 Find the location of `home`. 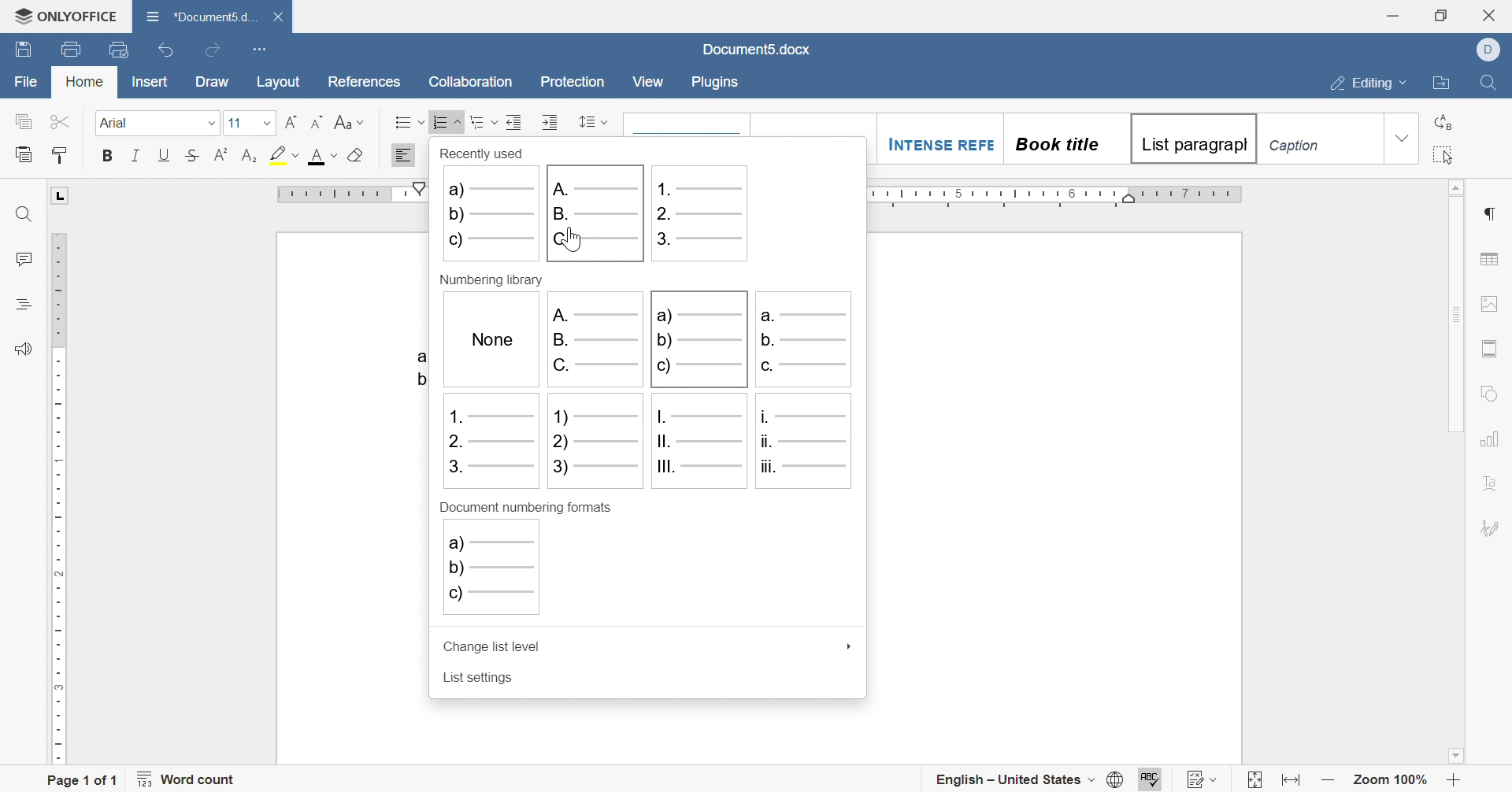

home is located at coordinates (86, 81).